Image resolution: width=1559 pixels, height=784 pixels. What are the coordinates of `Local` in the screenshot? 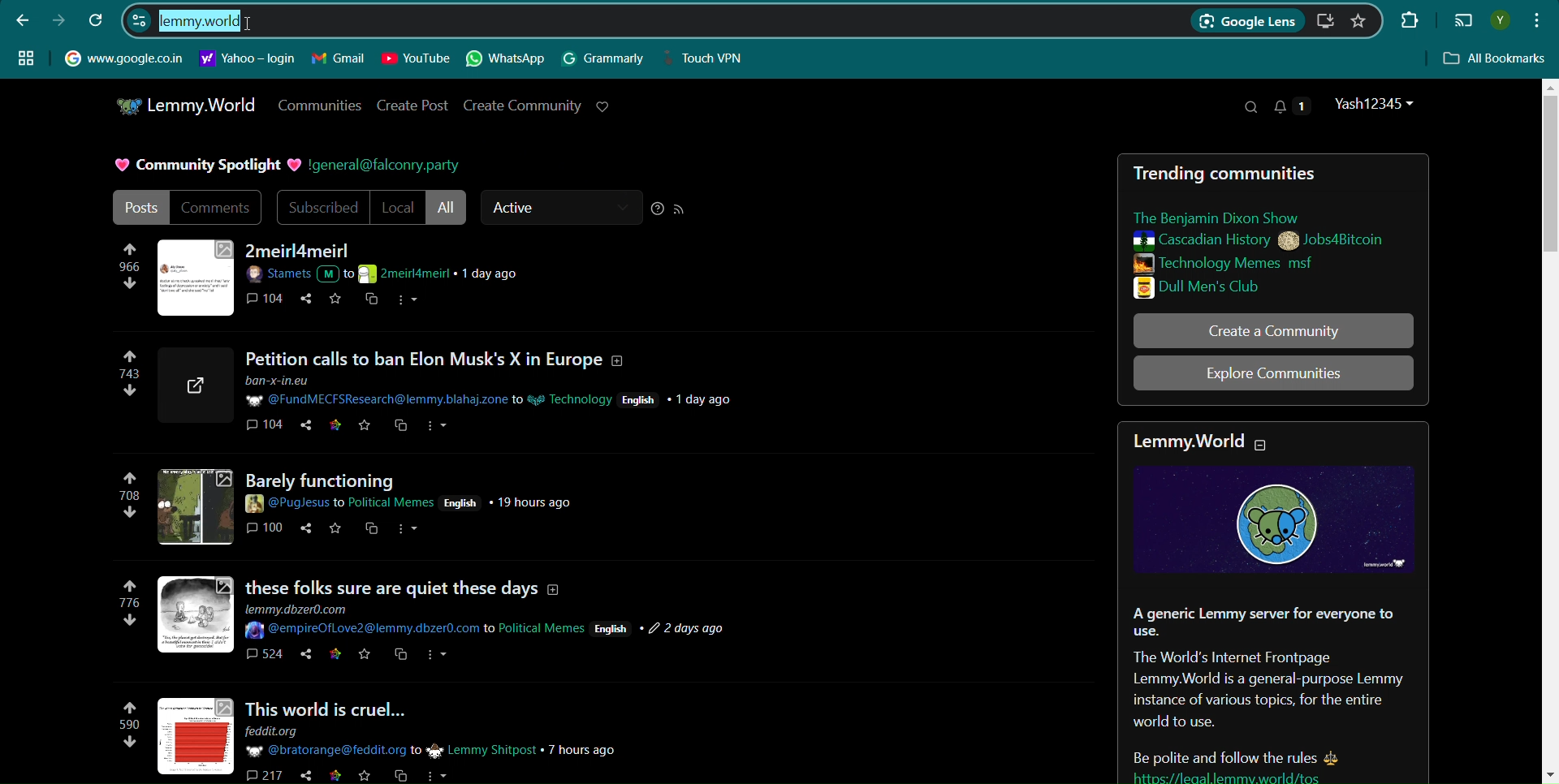 It's located at (397, 208).